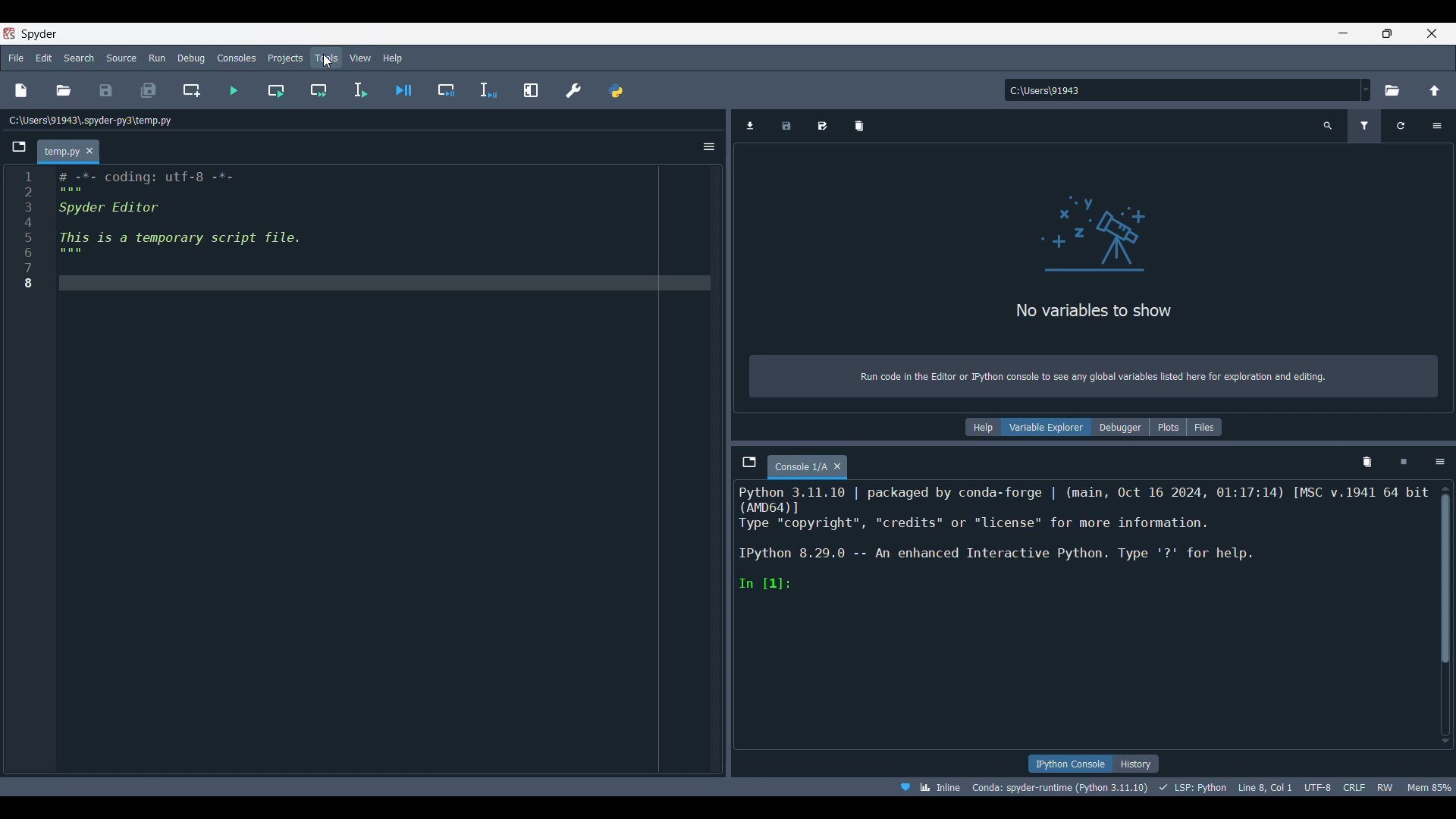 This screenshot has height=819, width=1456. I want to click on Tools menu, highlighted by cursor, so click(325, 57).